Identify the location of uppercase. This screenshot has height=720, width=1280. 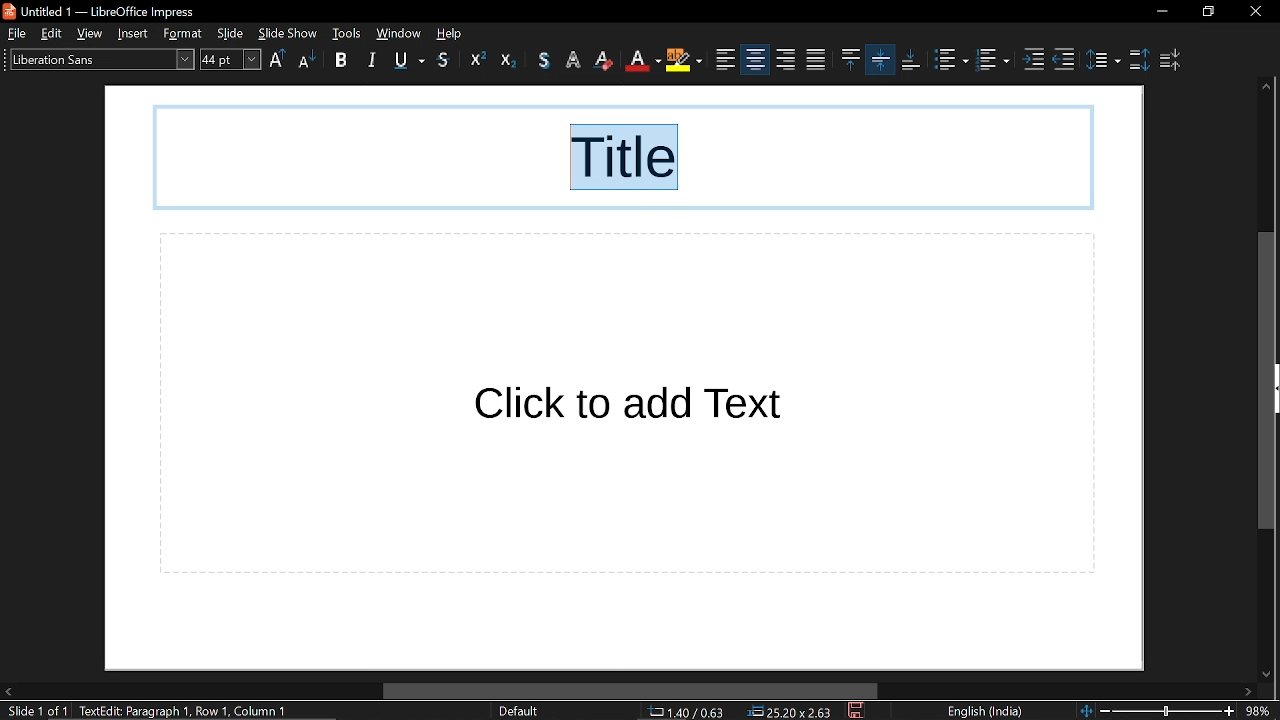
(278, 61).